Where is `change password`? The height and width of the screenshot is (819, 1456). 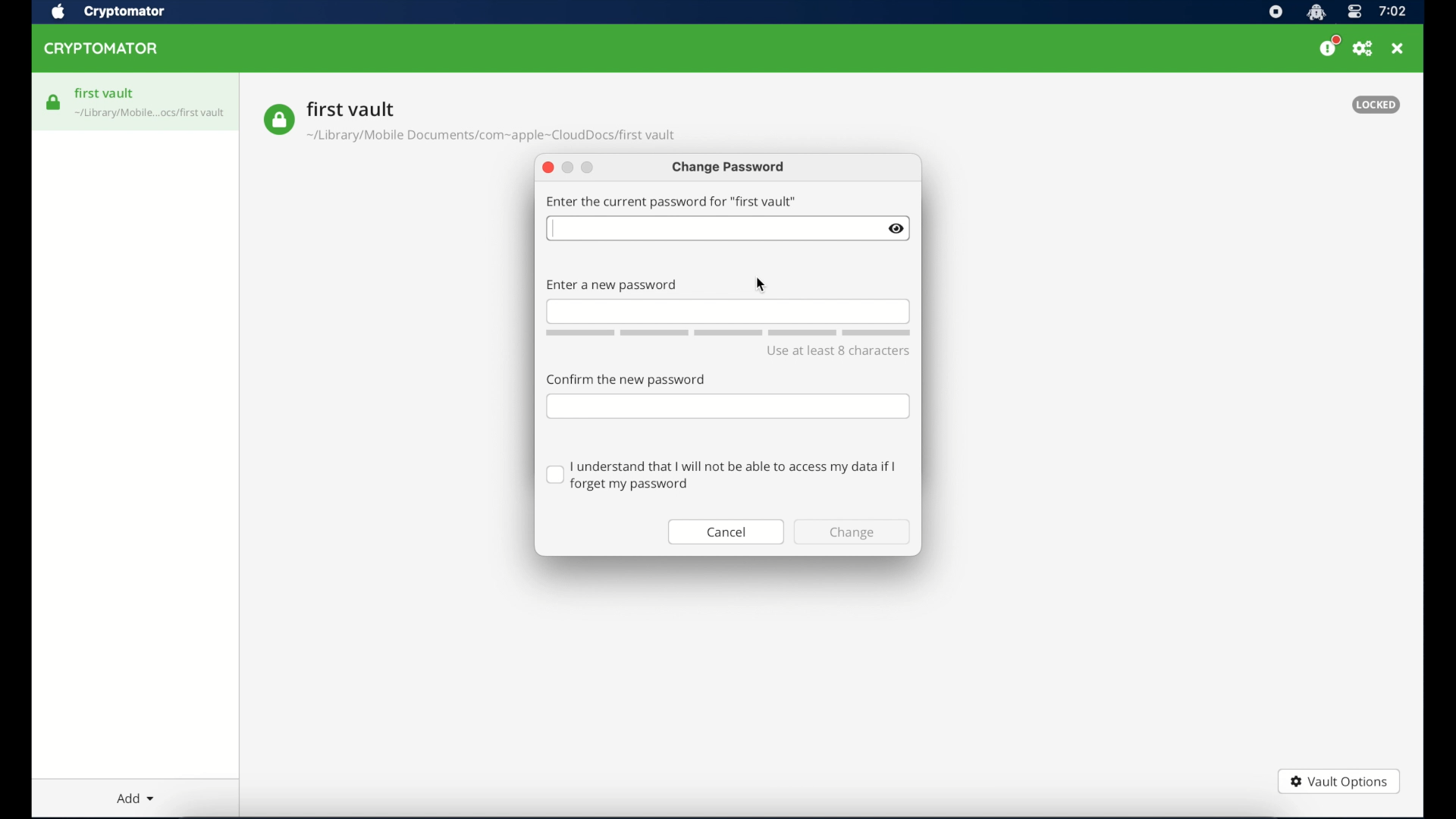
change password is located at coordinates (730, 168).